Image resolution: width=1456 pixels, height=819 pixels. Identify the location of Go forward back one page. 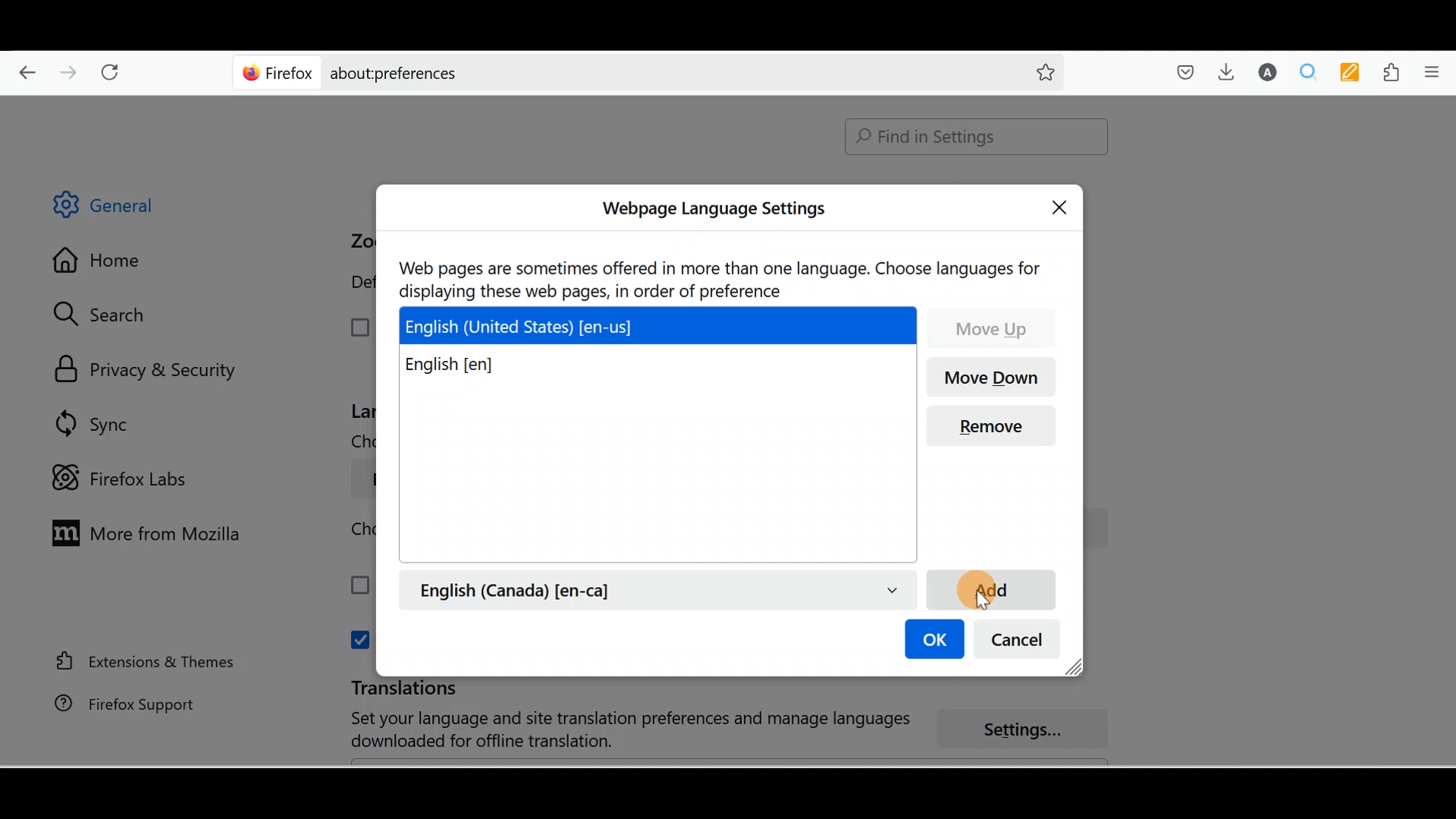
(71, 71).